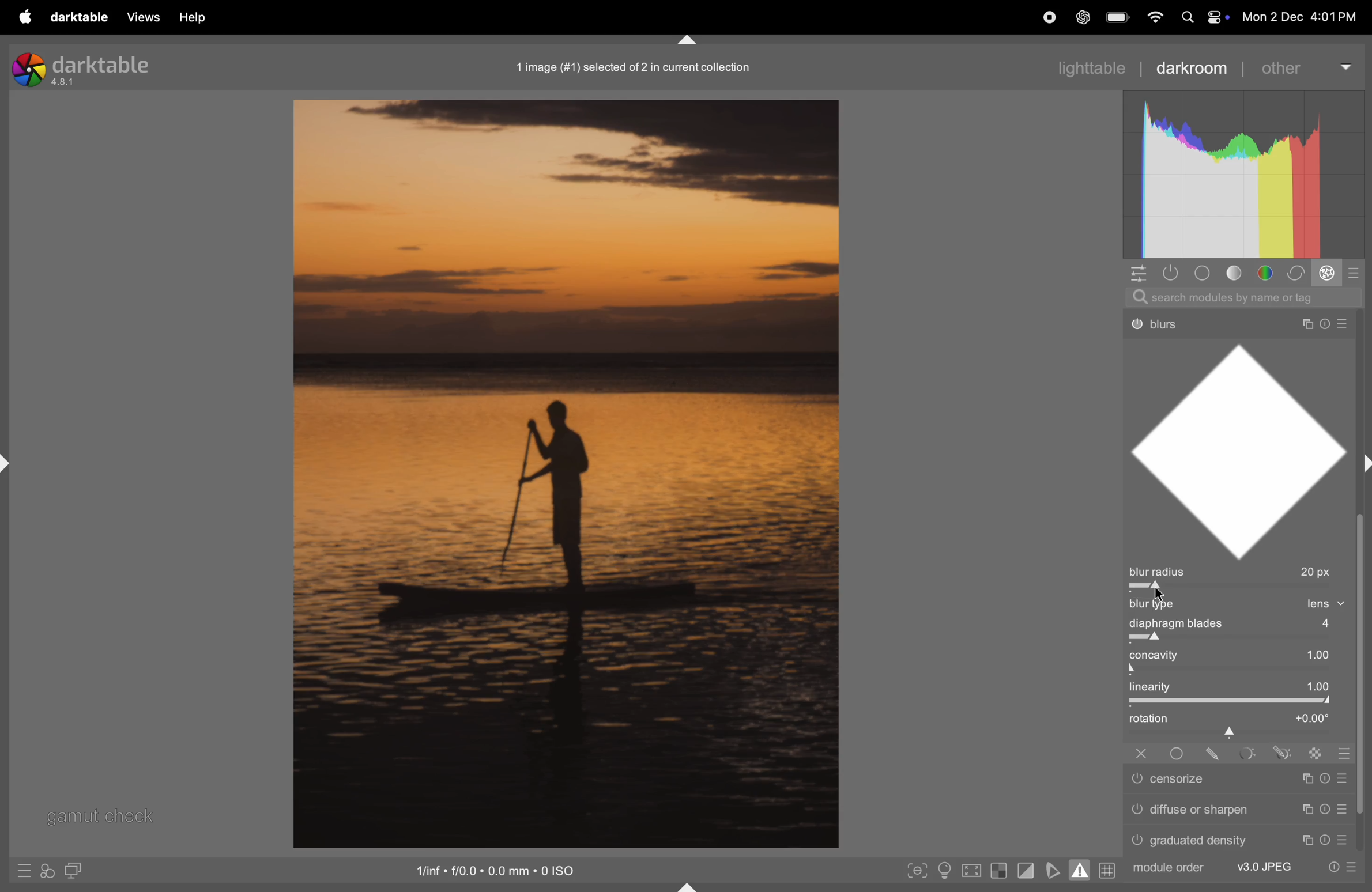  What do you see at coordinates (1083, 16) in the screenshot?
I see `chatgpt` at bounding box center [1083, 16].